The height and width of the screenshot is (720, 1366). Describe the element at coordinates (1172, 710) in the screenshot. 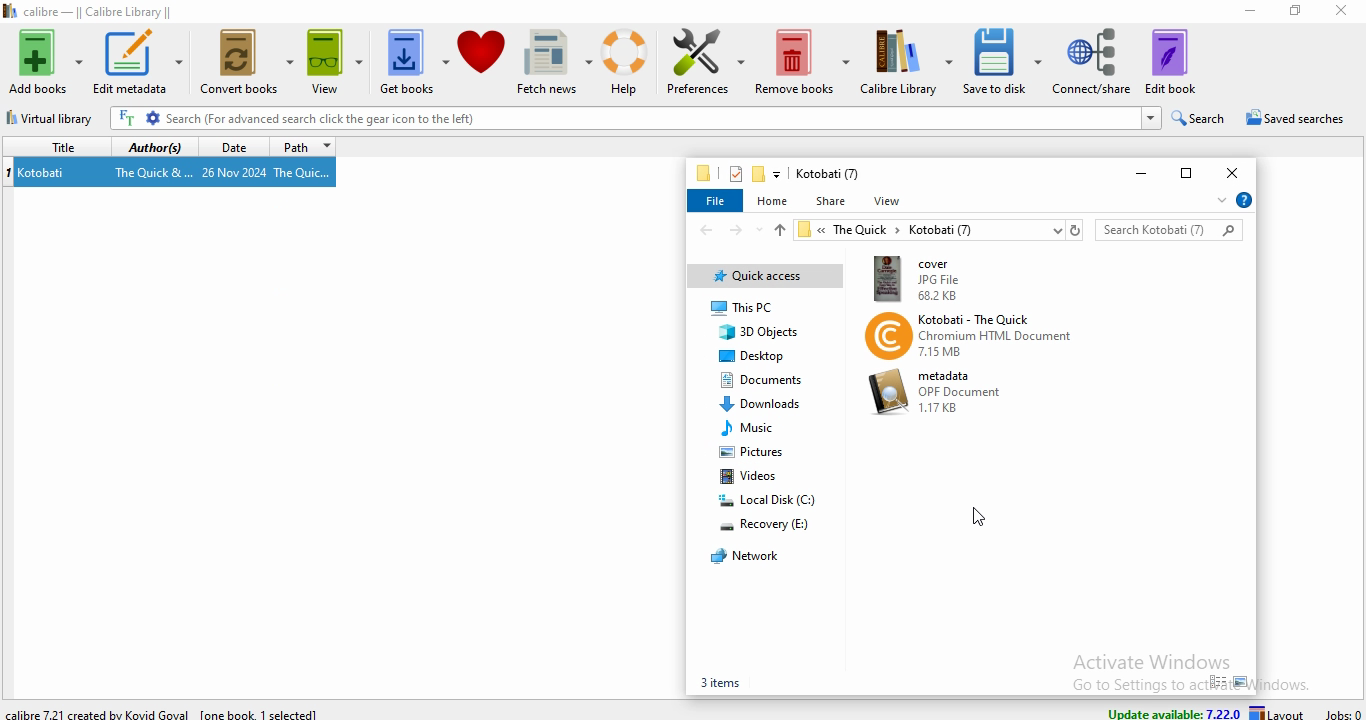

I see `update available: 7.22.0` at that location.